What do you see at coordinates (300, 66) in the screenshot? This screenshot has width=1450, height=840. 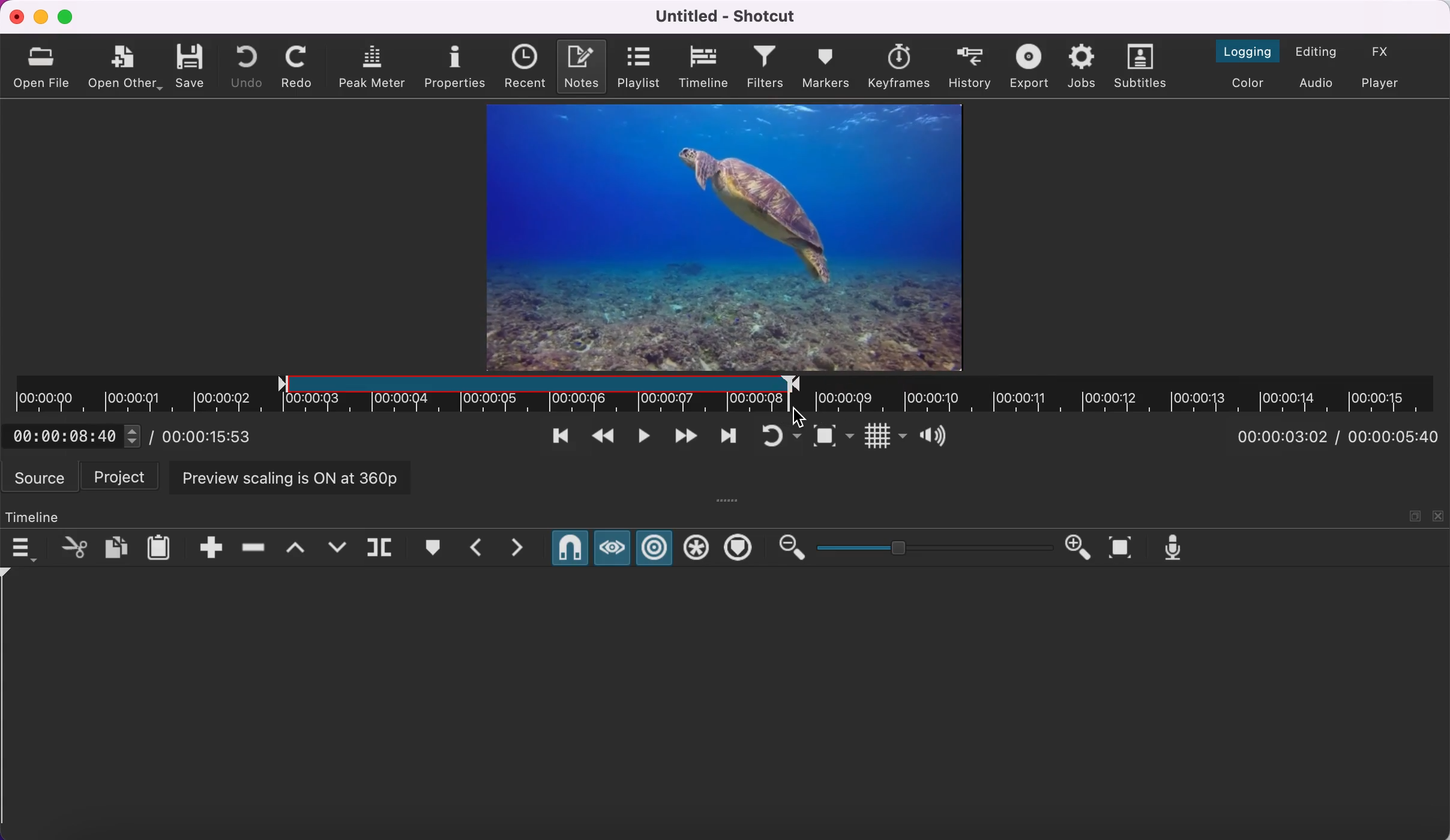 I see `redo` at bounding box center [300, 66].